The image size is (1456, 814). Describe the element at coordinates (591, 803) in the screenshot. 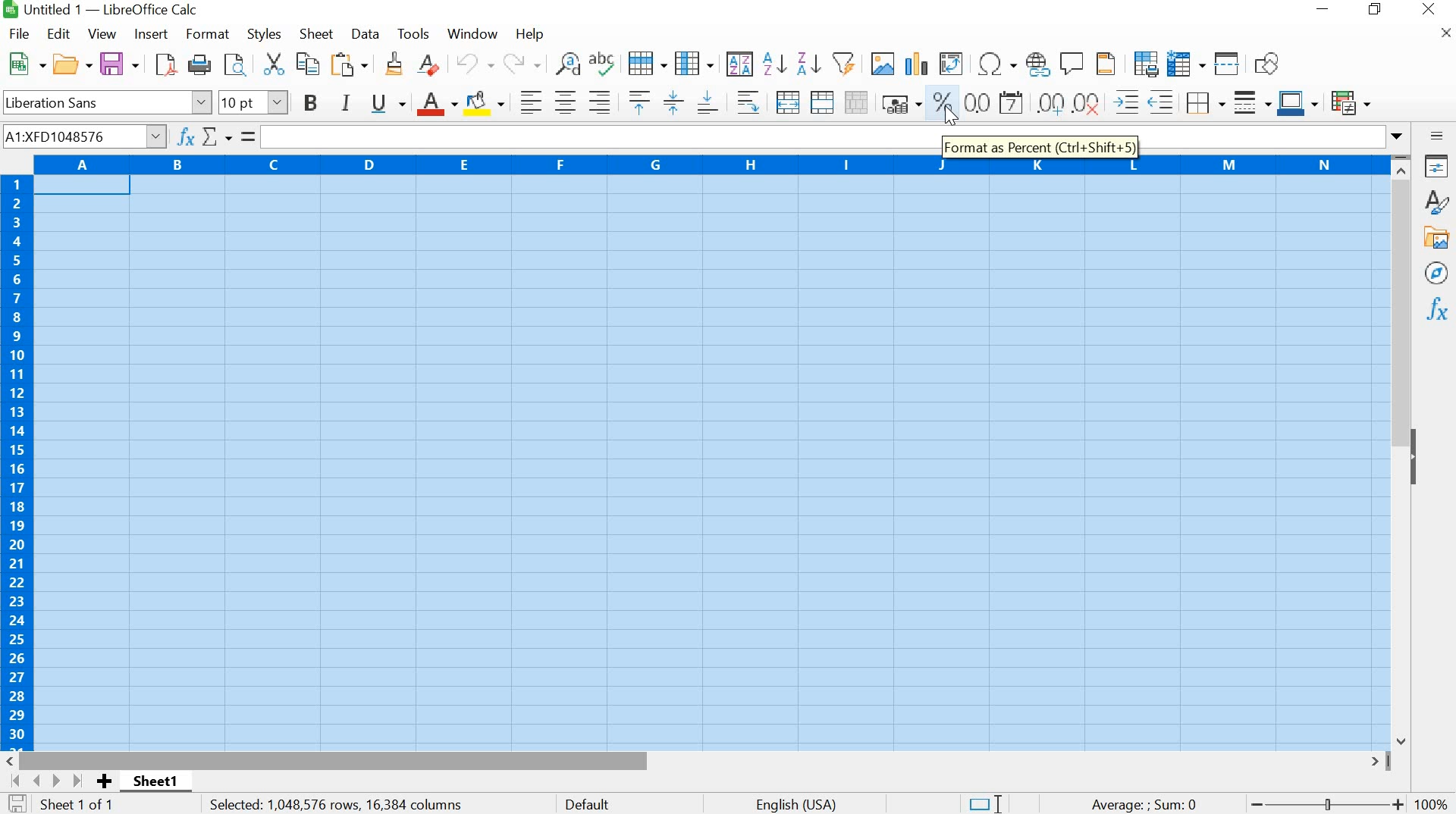

I see `DEFAULT` at that location.